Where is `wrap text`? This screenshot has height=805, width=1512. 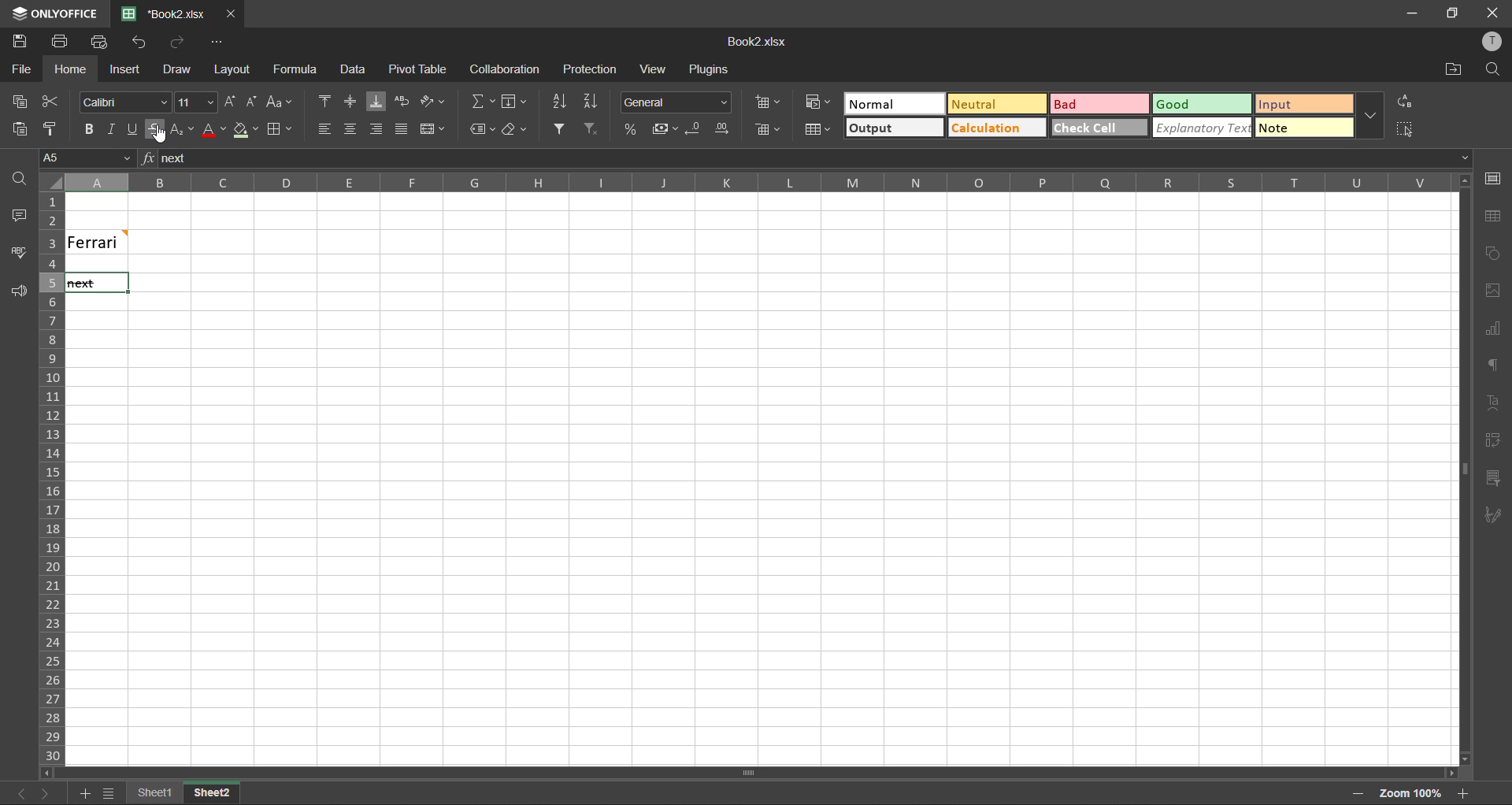 wrap text is located at coordinates (406, 102).